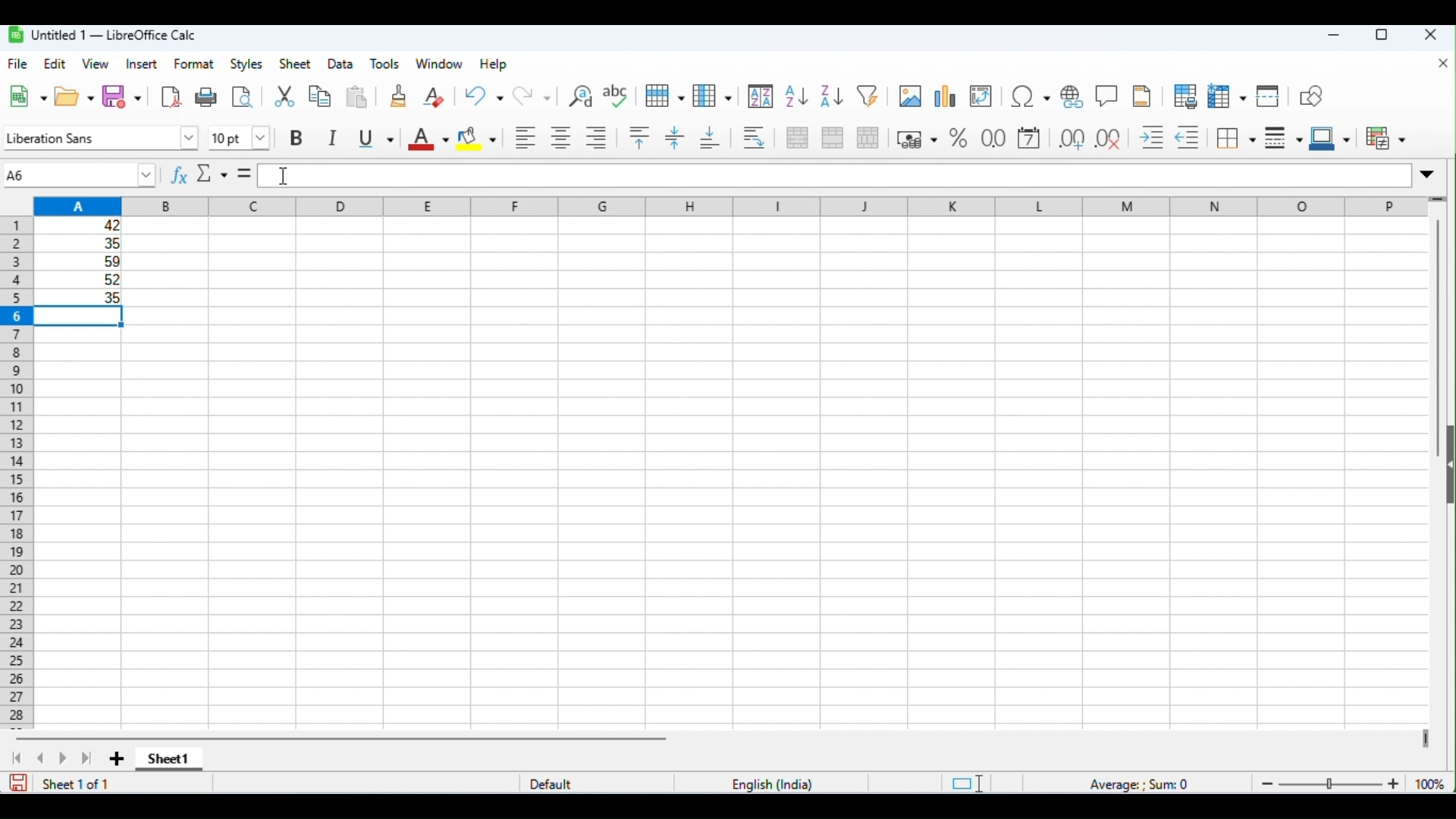 This screenshot has height=819, width=1456. I want to click on sheet 1 of 1, so click(79, 783).